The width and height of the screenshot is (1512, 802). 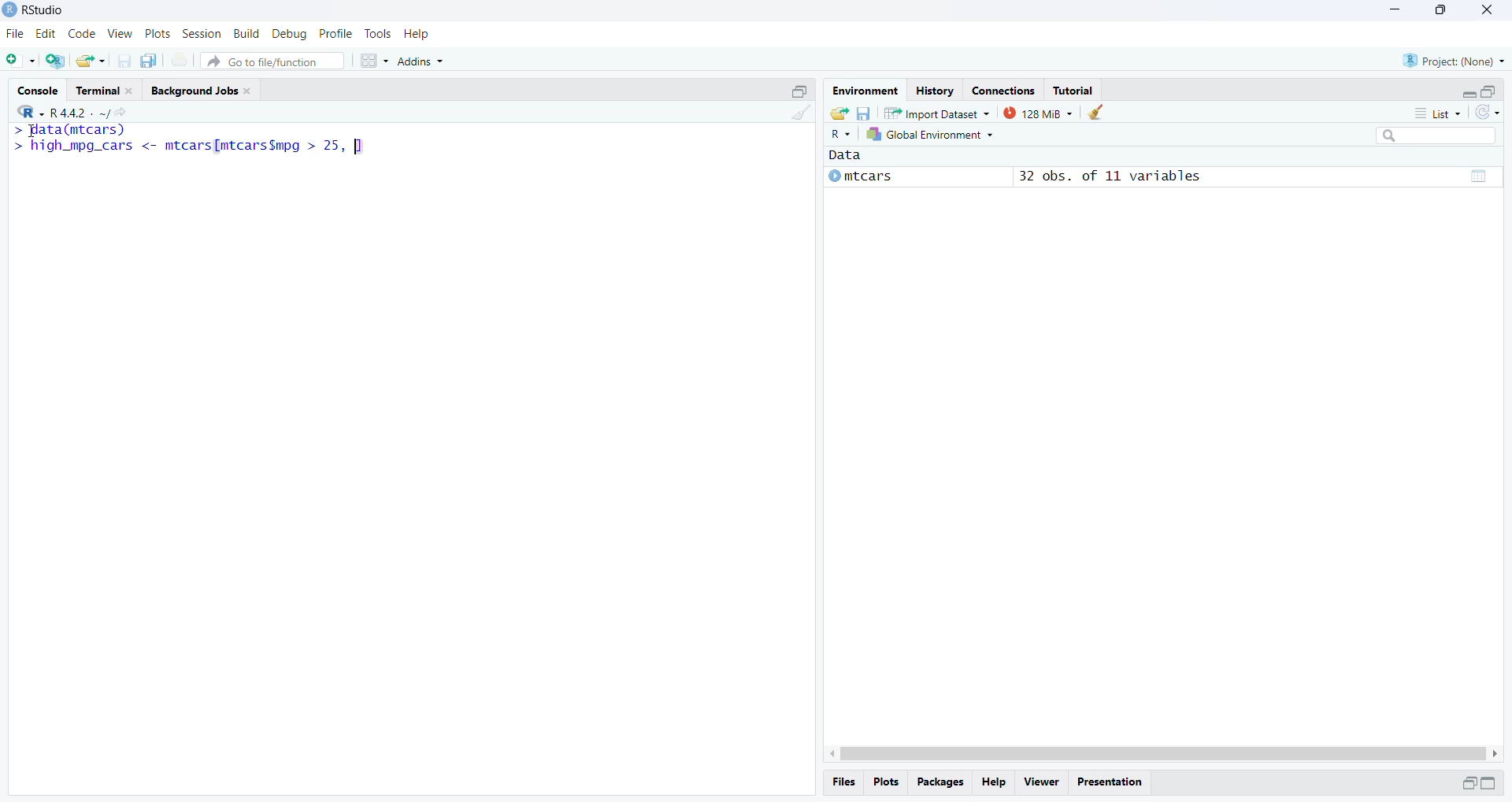 What do you see at coordinates (271, 61) in the screenshot?
I see `Go to file/function` at bounding box center [271, 61].